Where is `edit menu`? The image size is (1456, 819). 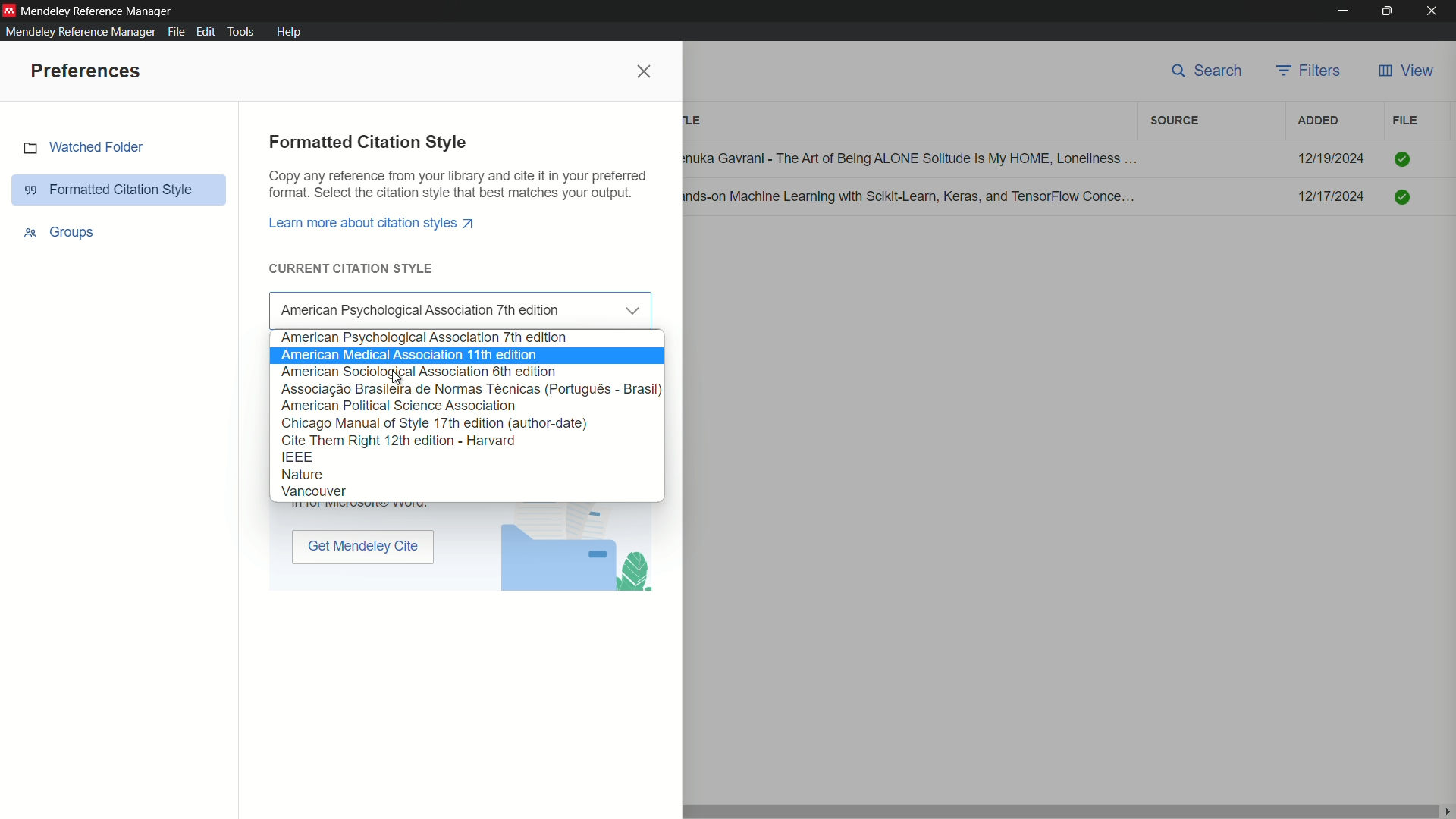 edit menu is located at coordinates (206, 32).